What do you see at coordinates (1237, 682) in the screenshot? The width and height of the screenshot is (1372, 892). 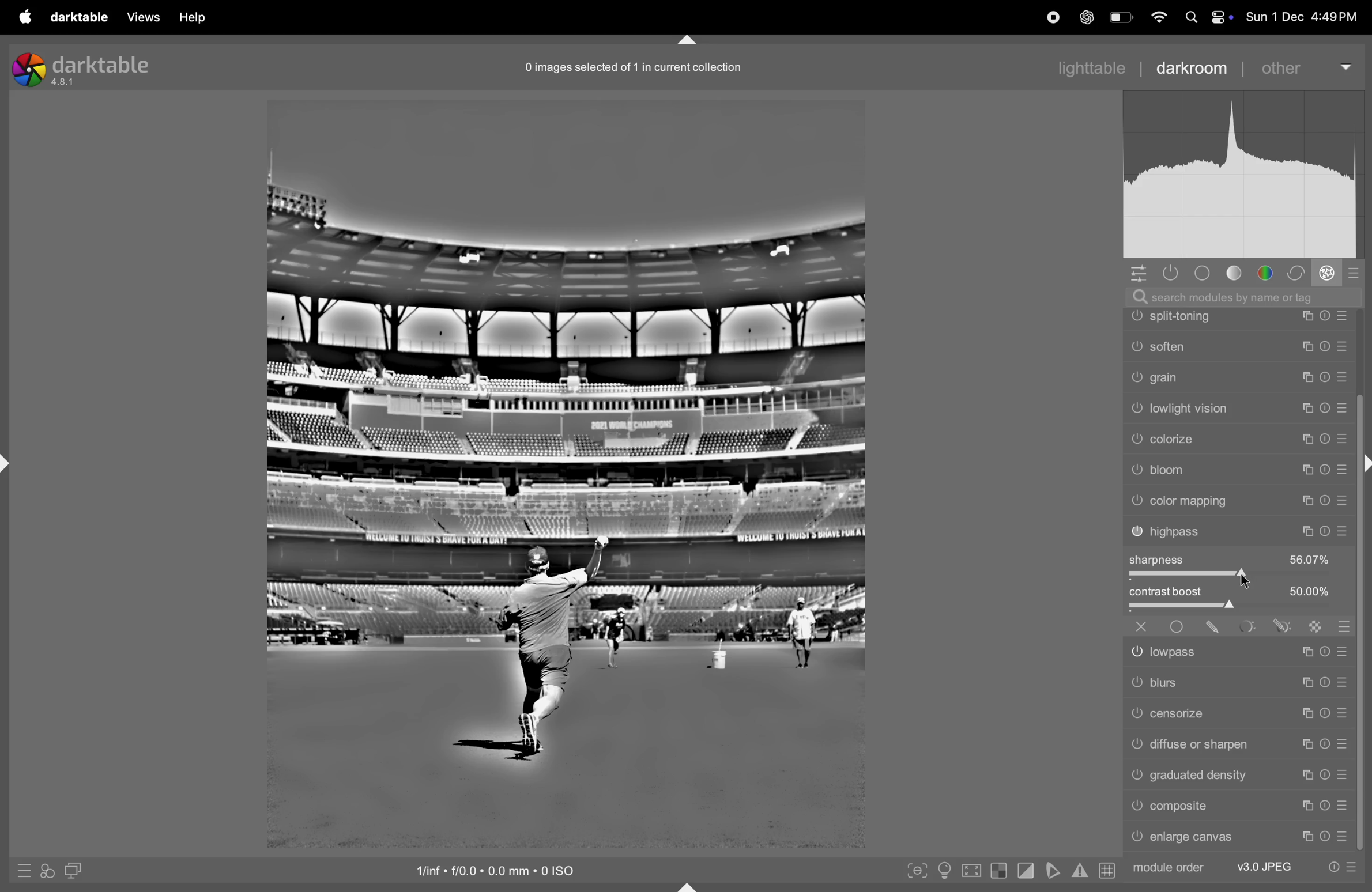 I see `blurs` at bounding box center [1237, 682].